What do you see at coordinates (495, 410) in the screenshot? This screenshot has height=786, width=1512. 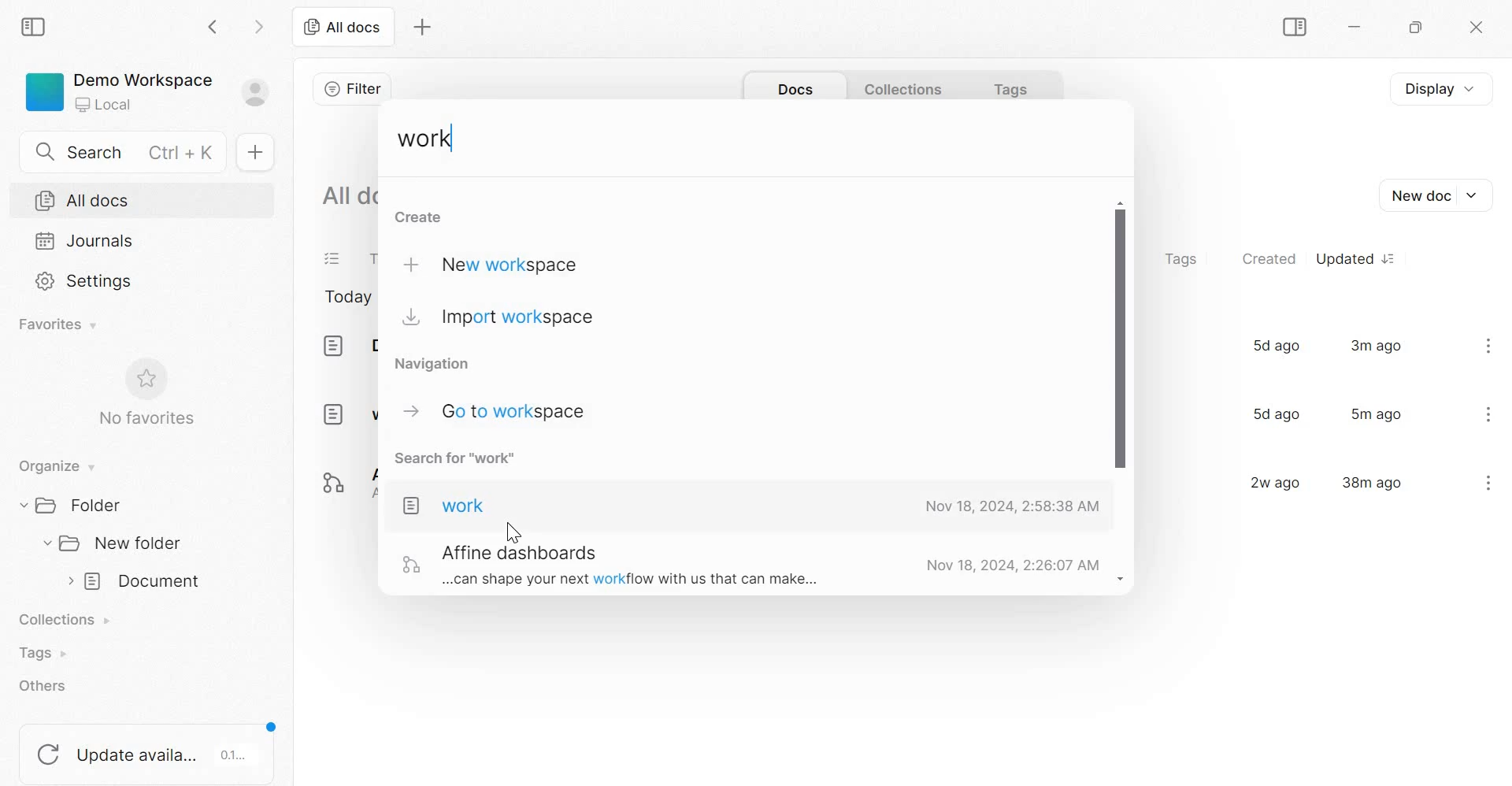 I see `go to workspace` at bounding box center [495, 410].